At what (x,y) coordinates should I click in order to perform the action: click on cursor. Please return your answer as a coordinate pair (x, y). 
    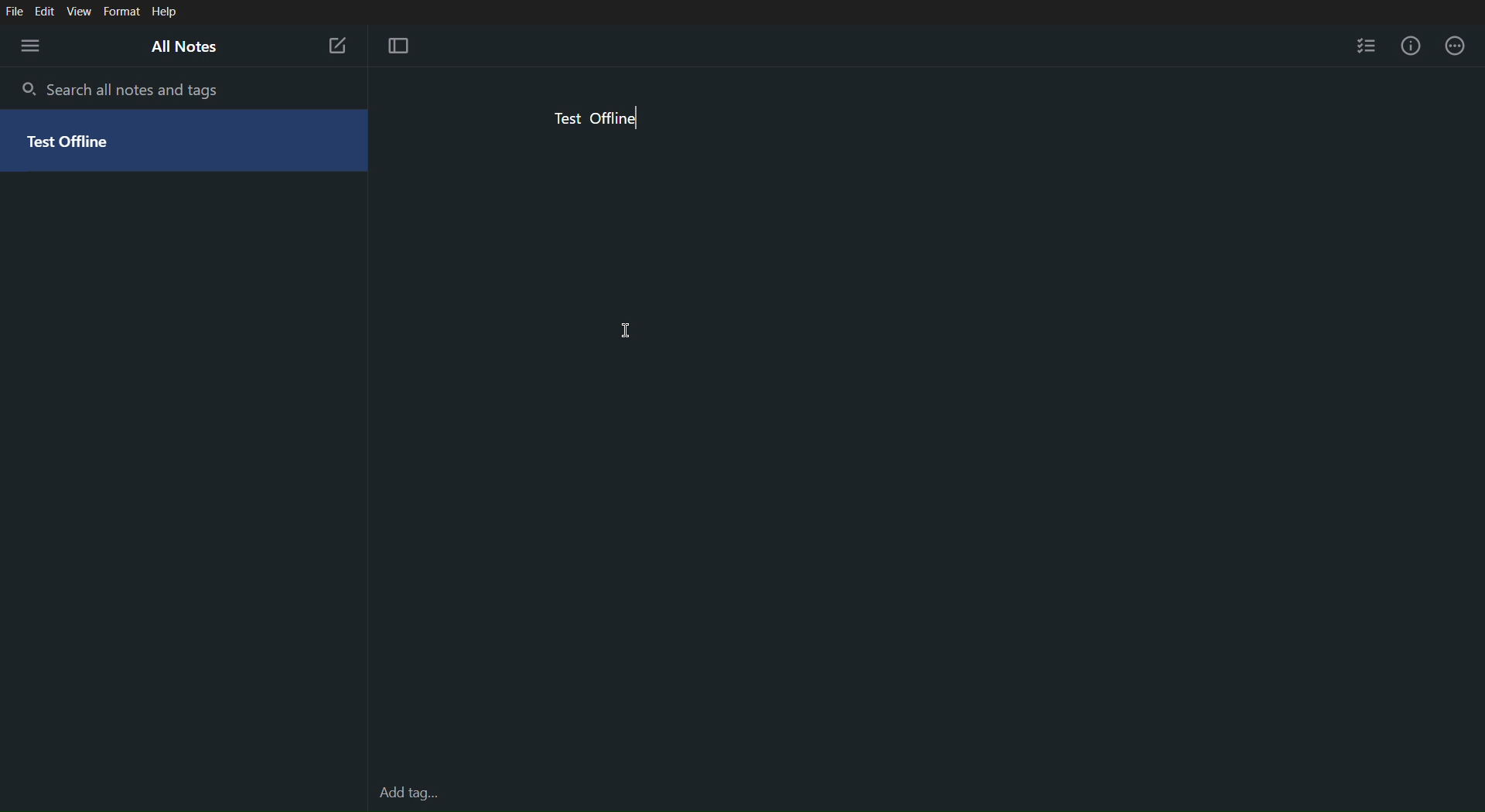
    Looking at the image, I should click on (627, 331).